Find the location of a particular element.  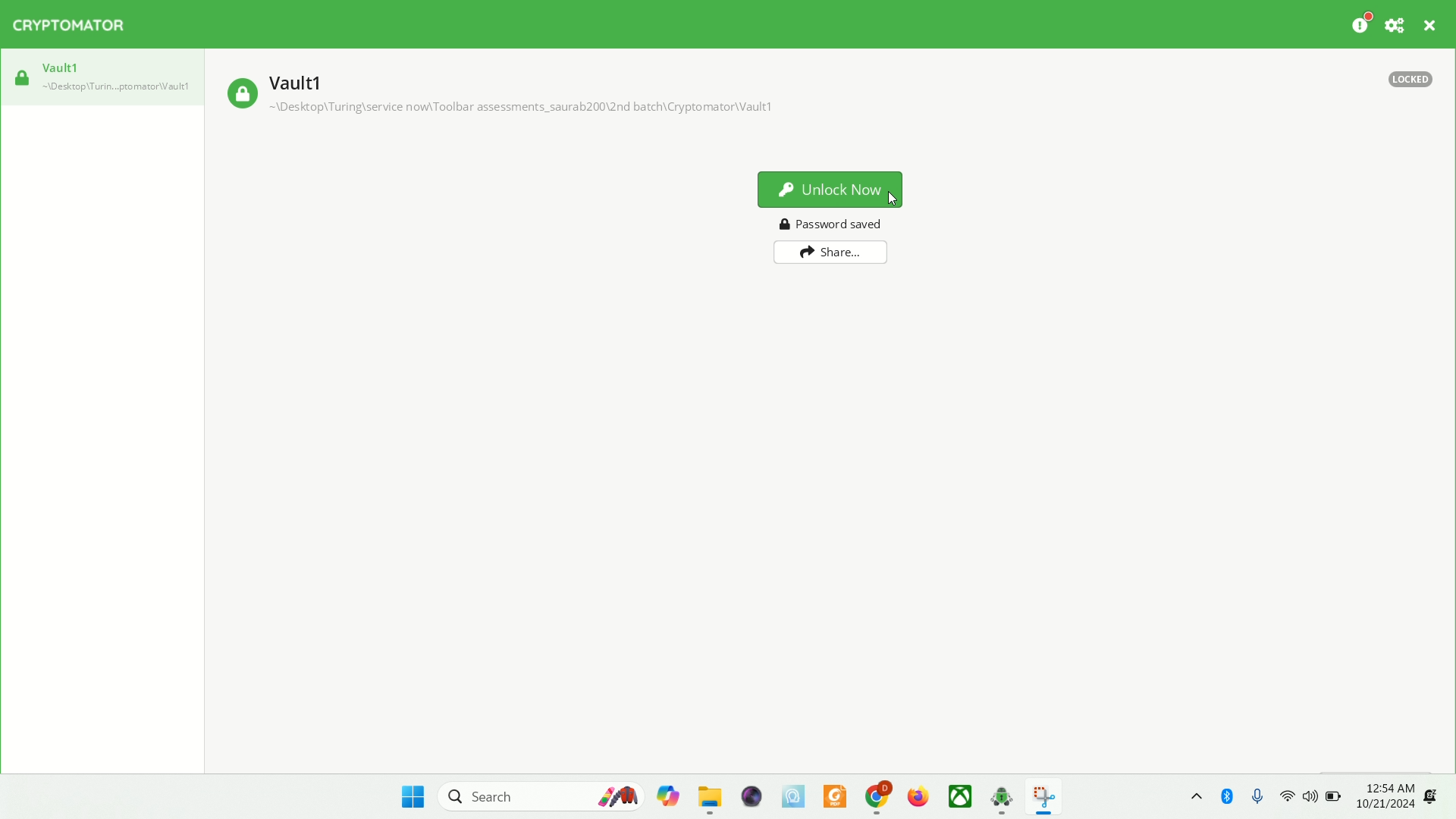

unlock now is located at coordinates (829, 188).